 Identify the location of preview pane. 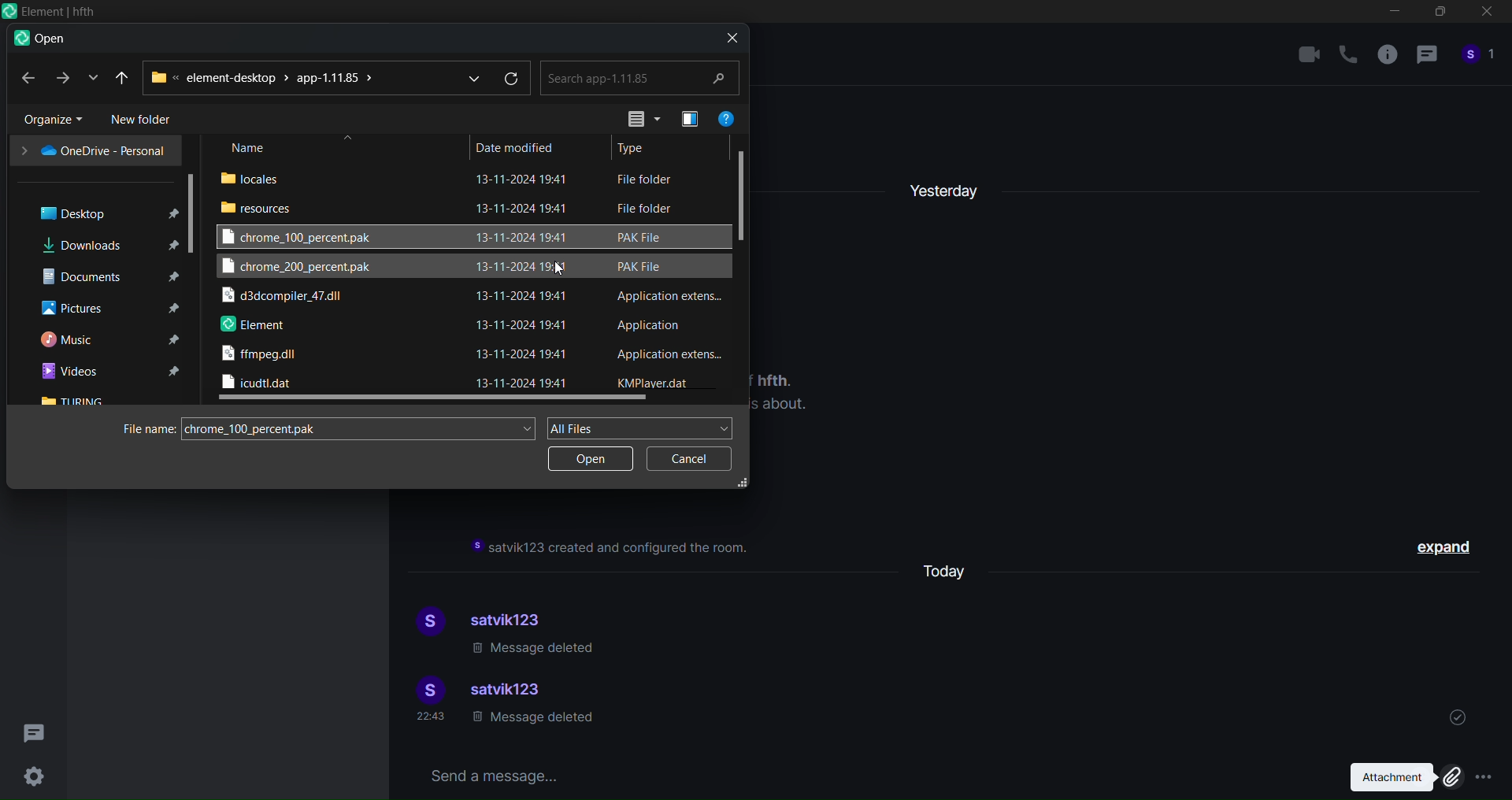
(686, 118).